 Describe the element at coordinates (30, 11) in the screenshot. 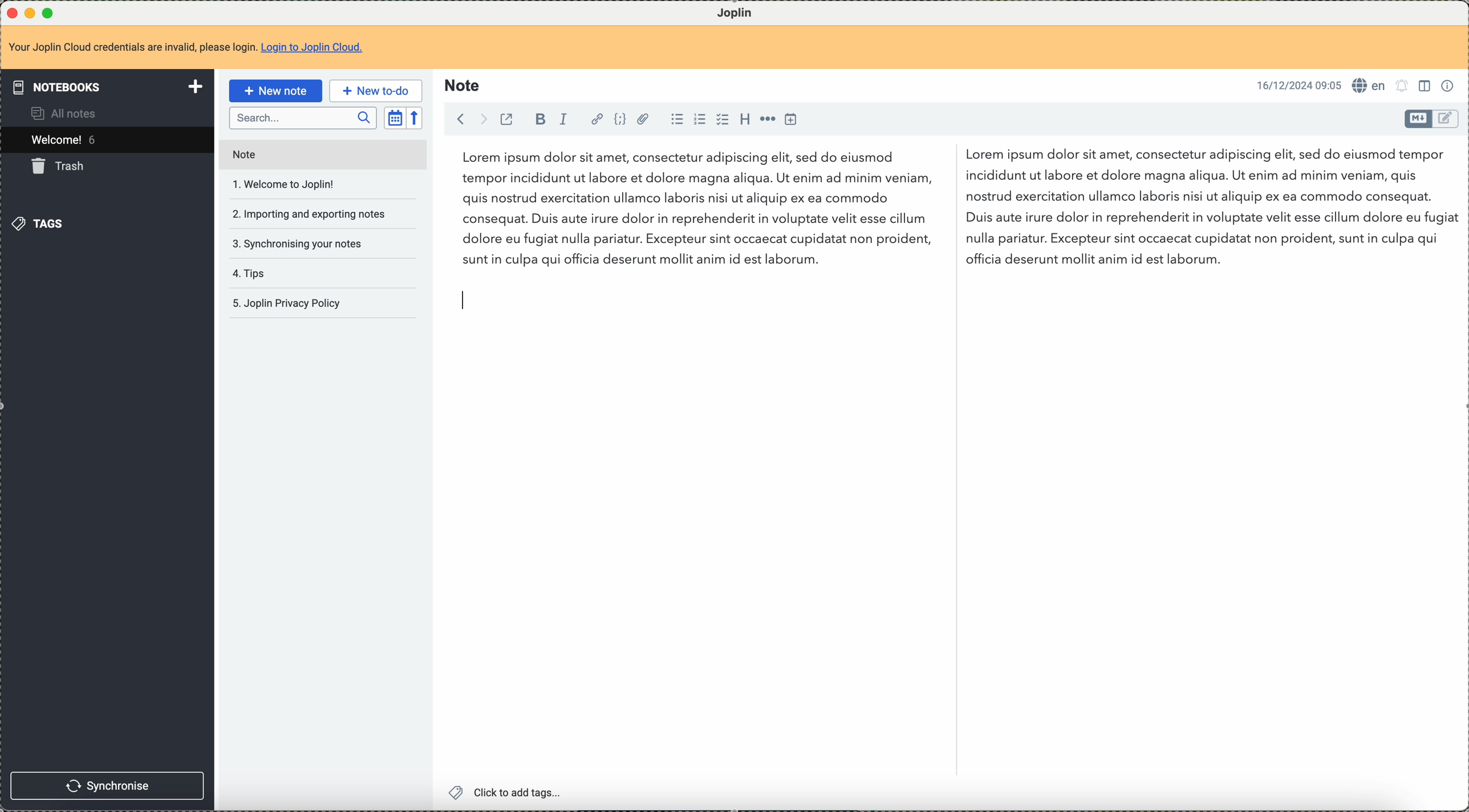

I see `minimize` at that location.